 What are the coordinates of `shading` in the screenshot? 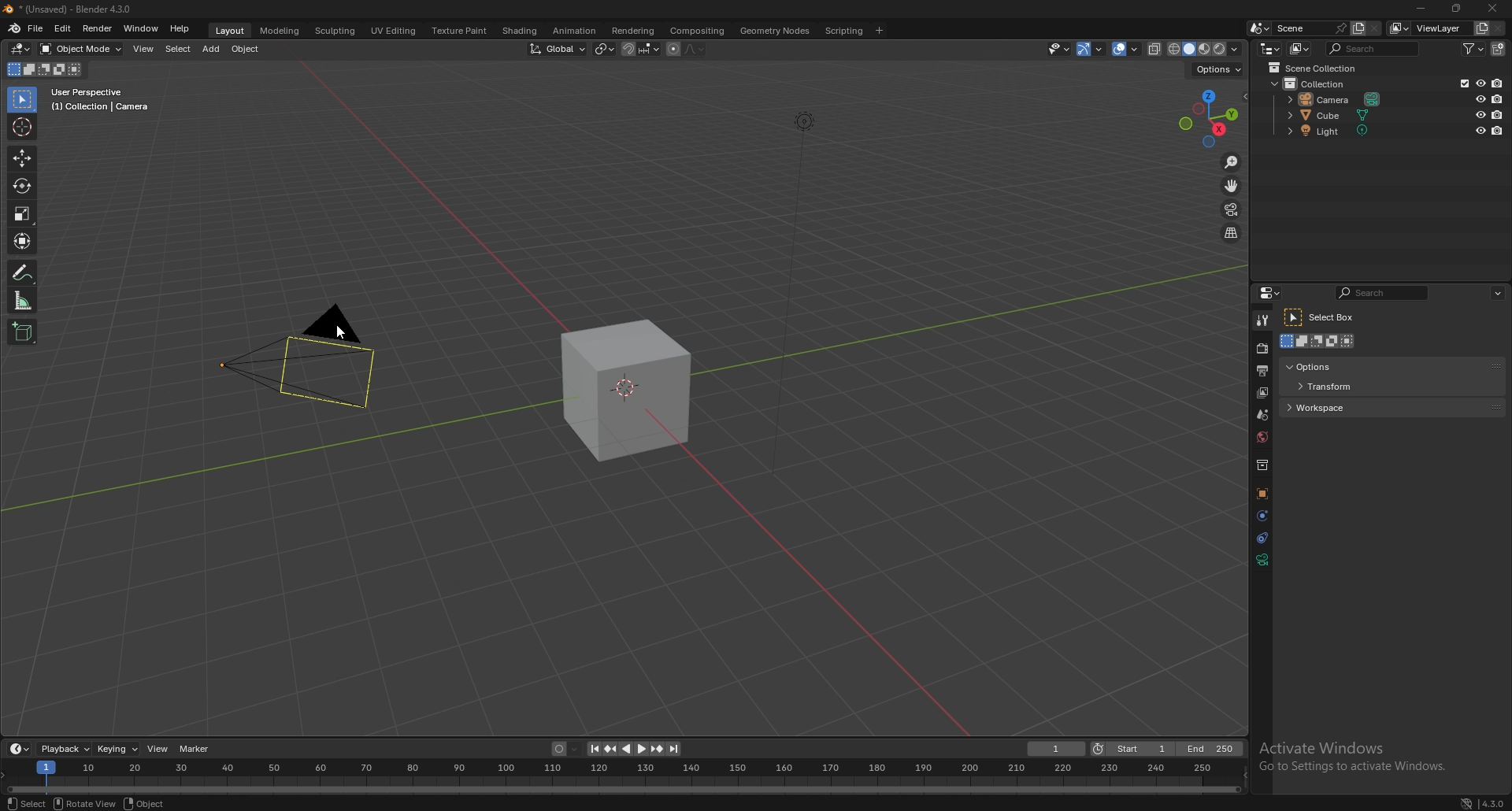 It's located at (520, 30).